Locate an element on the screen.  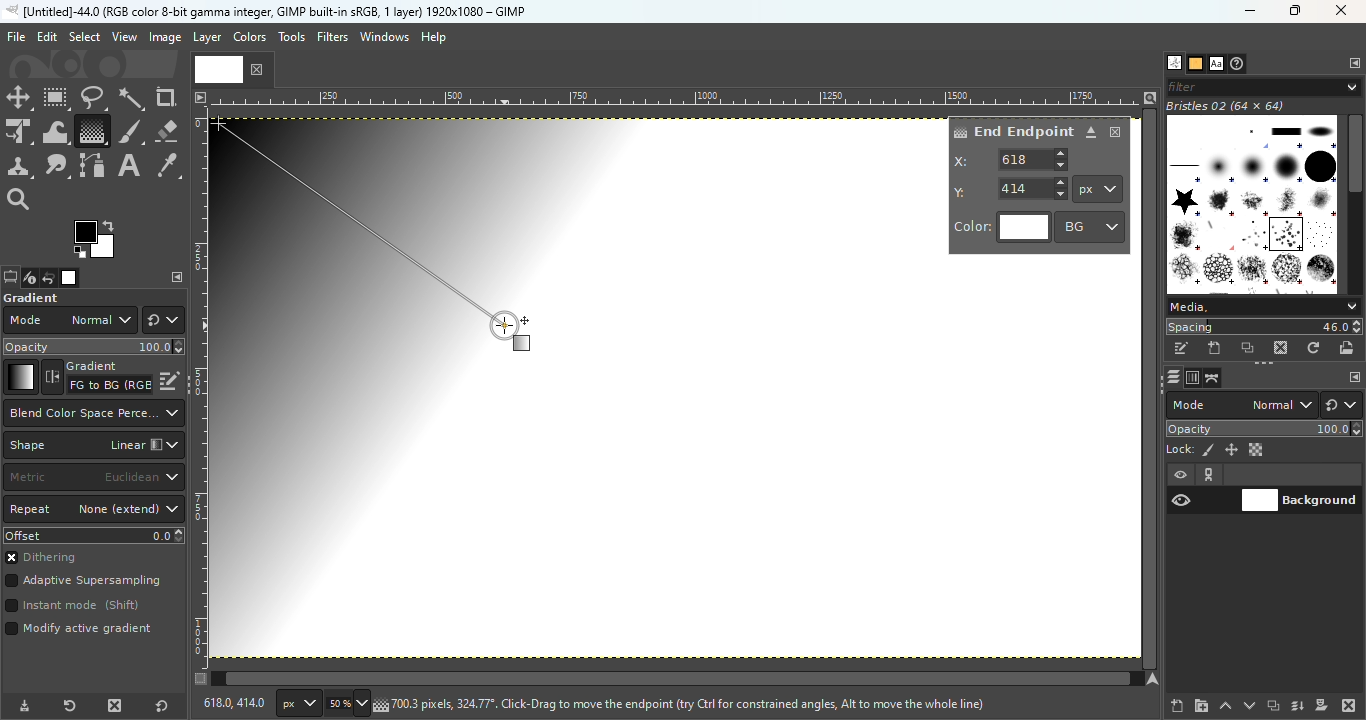
Scroll bar is located at coordinates (1355, 201).